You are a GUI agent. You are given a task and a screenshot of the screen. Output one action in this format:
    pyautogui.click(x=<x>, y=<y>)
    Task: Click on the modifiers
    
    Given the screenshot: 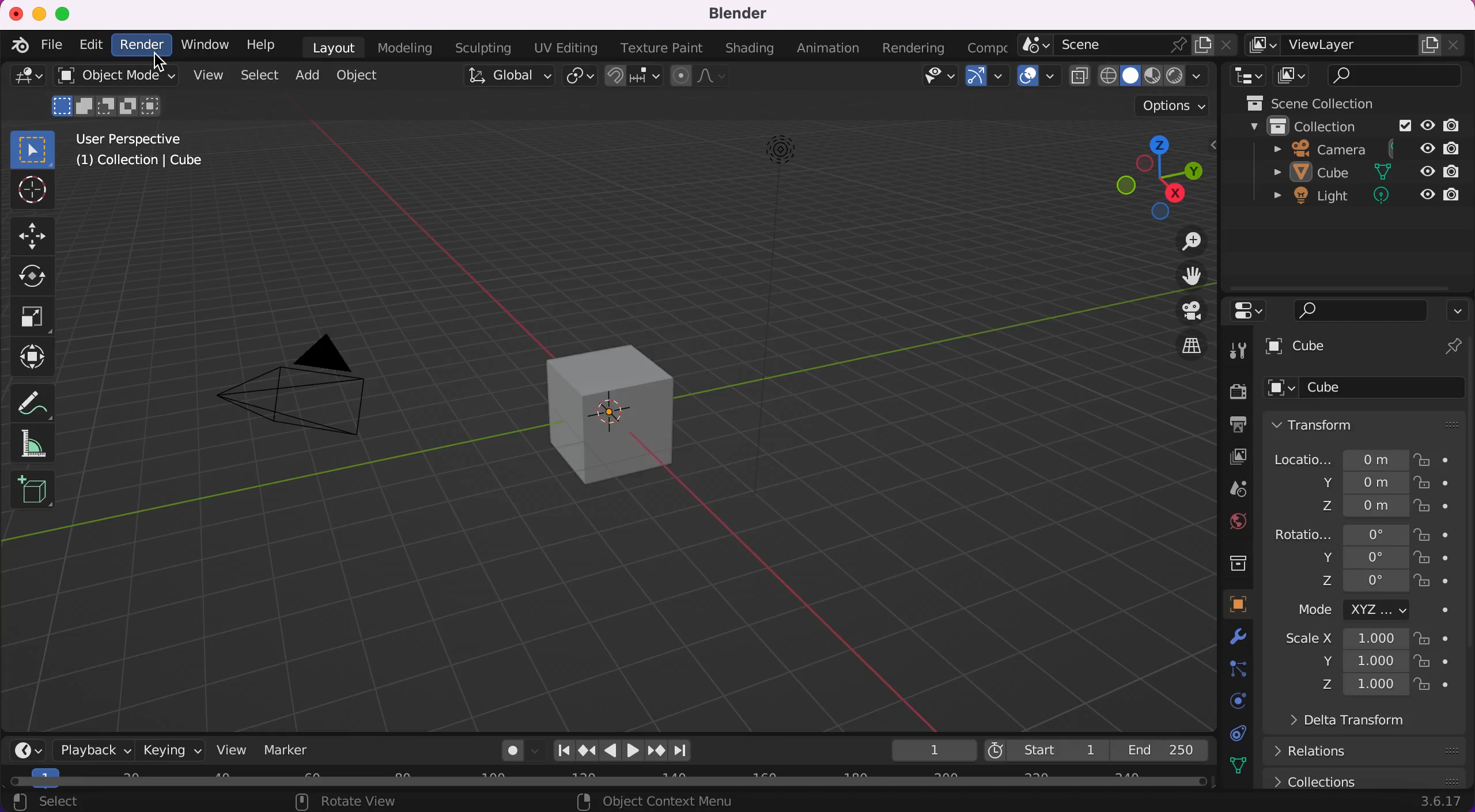 What is the action you would take?
    pyautogui.click(x=1232, y=639)
    